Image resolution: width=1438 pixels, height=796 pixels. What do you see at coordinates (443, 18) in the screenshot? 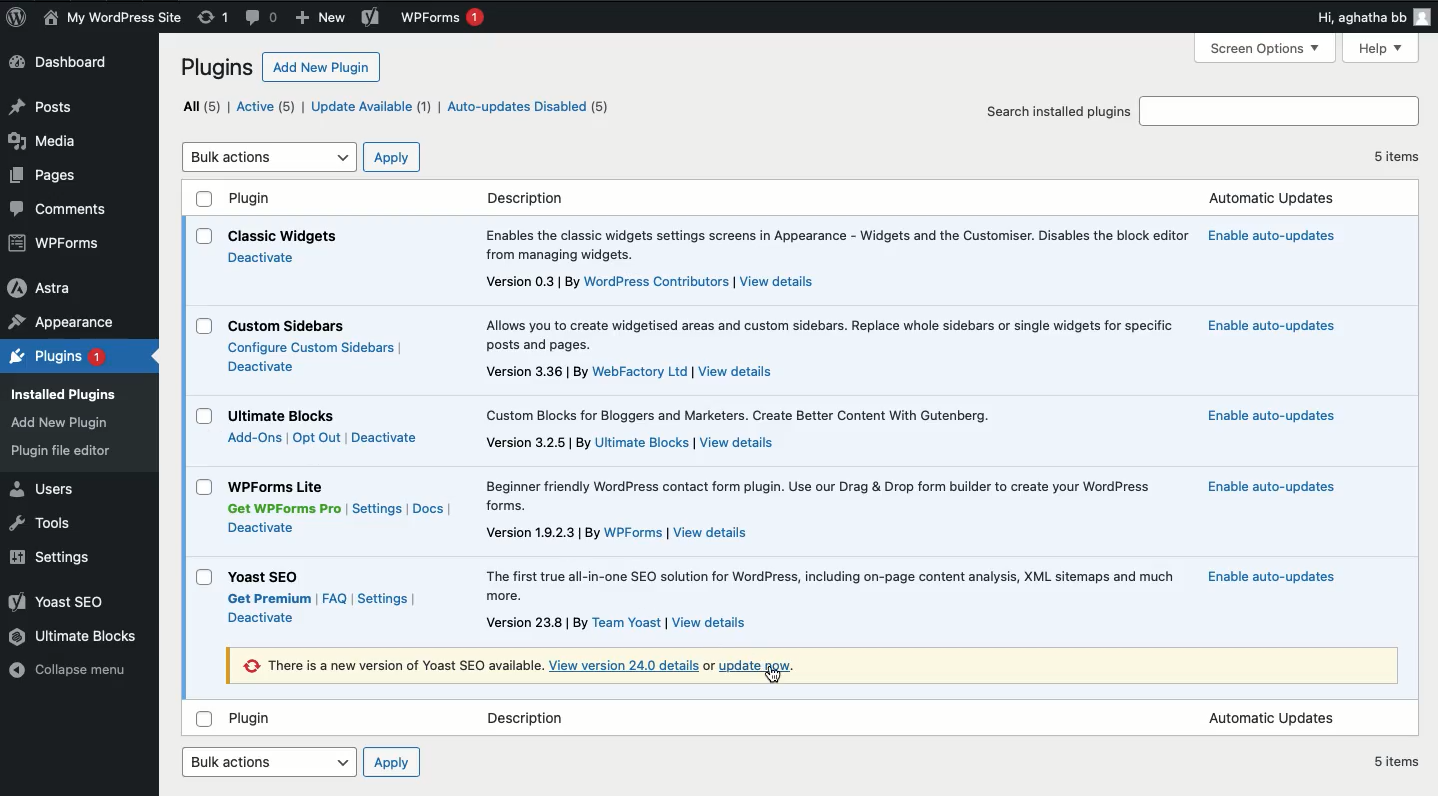
I see `WPForms` at bounding box center [443, 18].